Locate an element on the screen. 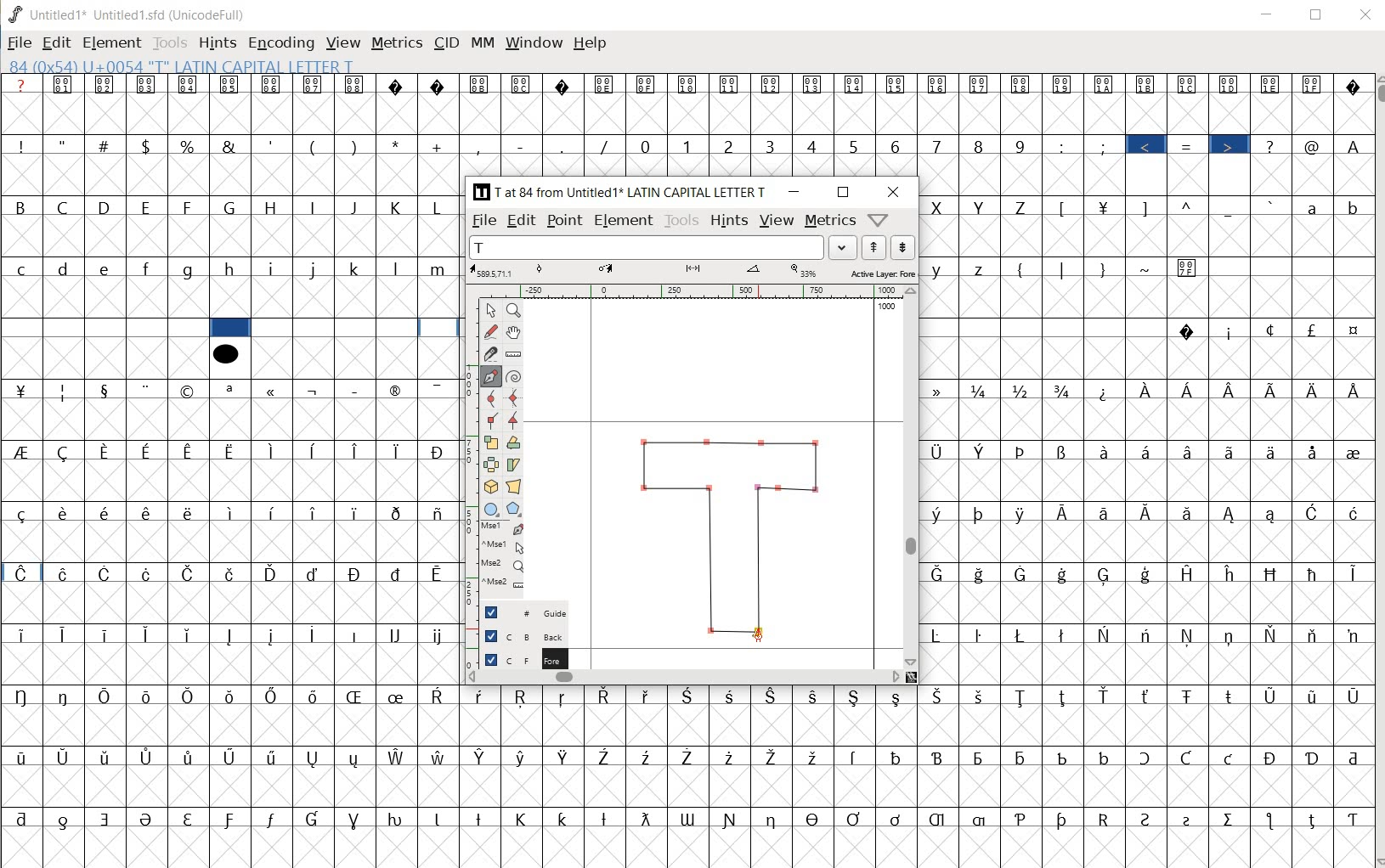  minimize is located at coordinates (1268, 14).